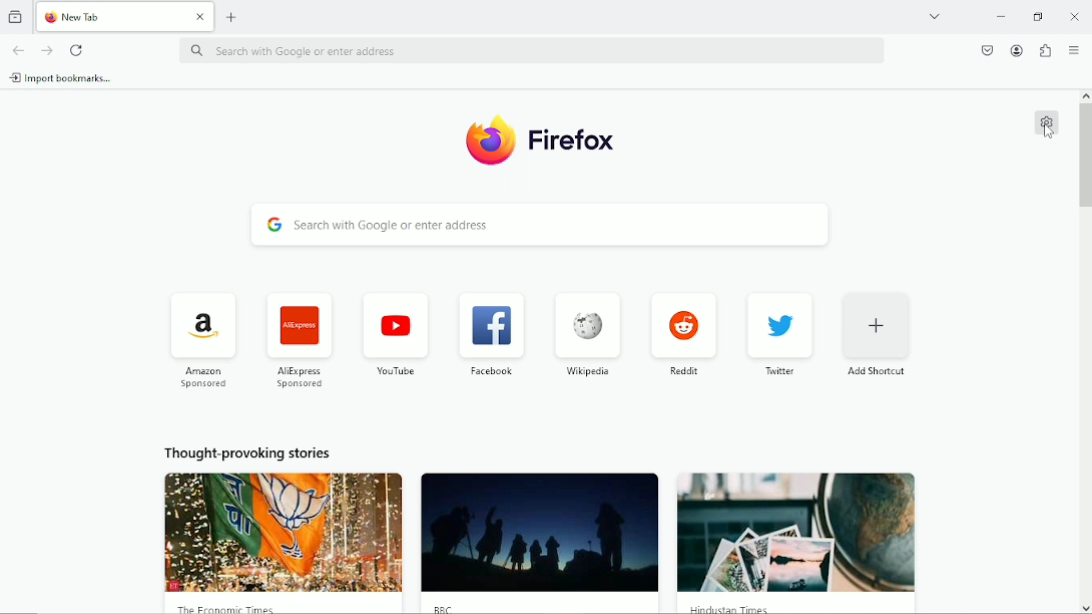 This screenshot has width=1092, height=614. What do you see at coordinates (298, 340) in the screenshot?
I see `AliExpress` at bounding box center [298, 340].